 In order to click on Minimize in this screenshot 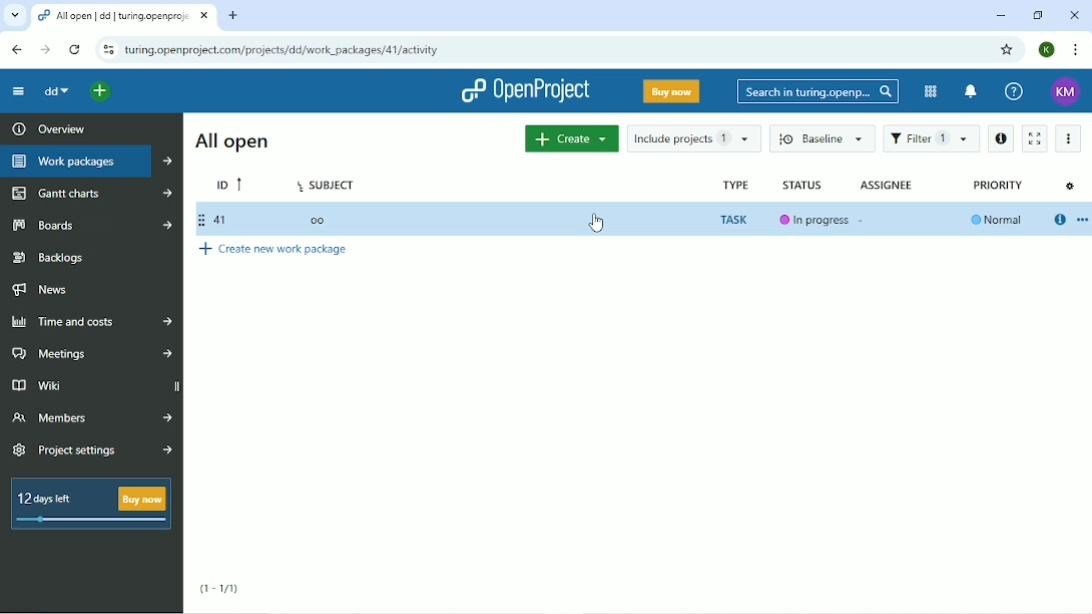, I will do `click(999, 16)`.